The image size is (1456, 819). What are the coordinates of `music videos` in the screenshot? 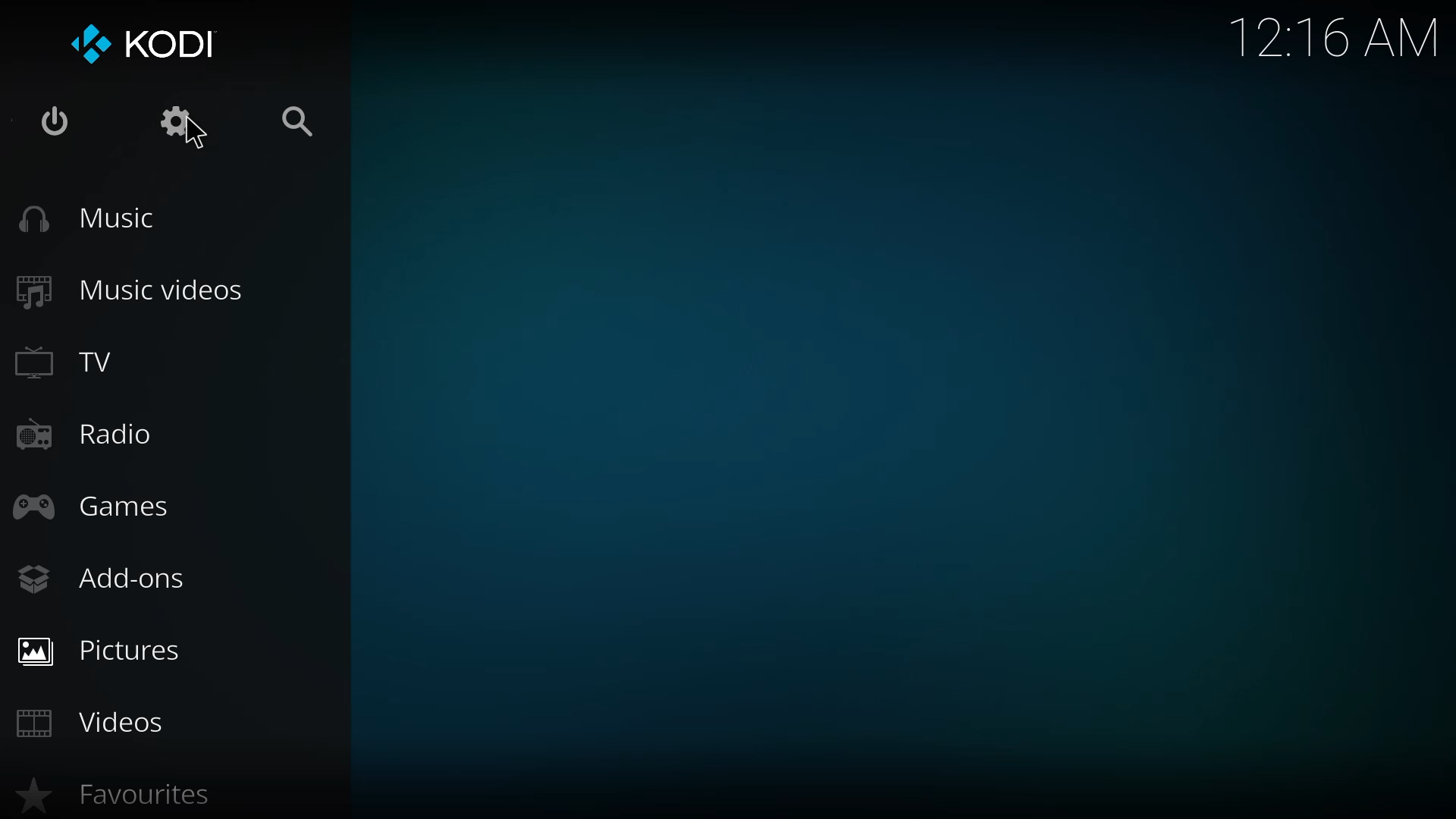 It's located at (147, 287).